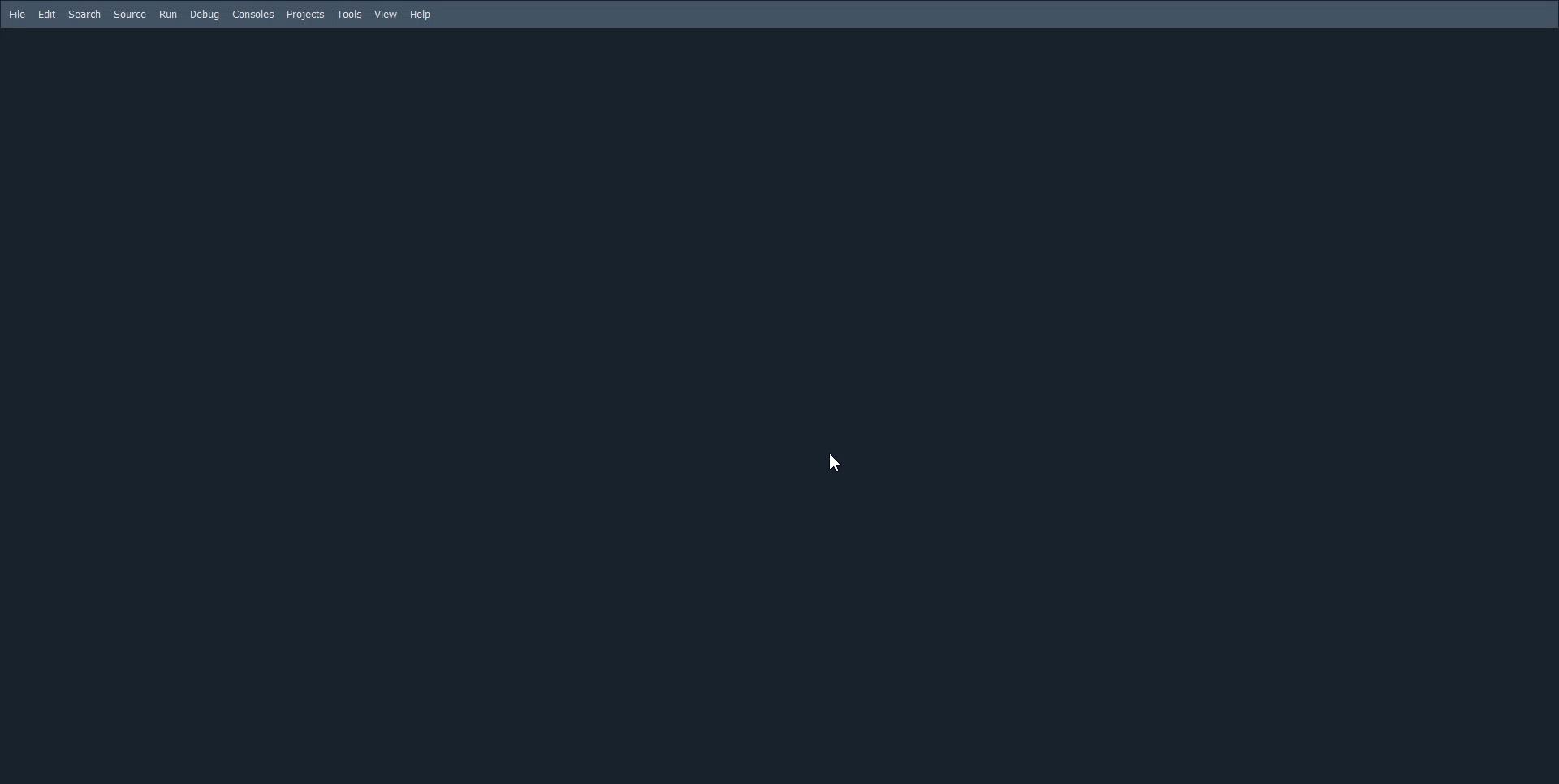 This screenshot has width=1559, height=784. I want to click on Run, so click(168, 13).